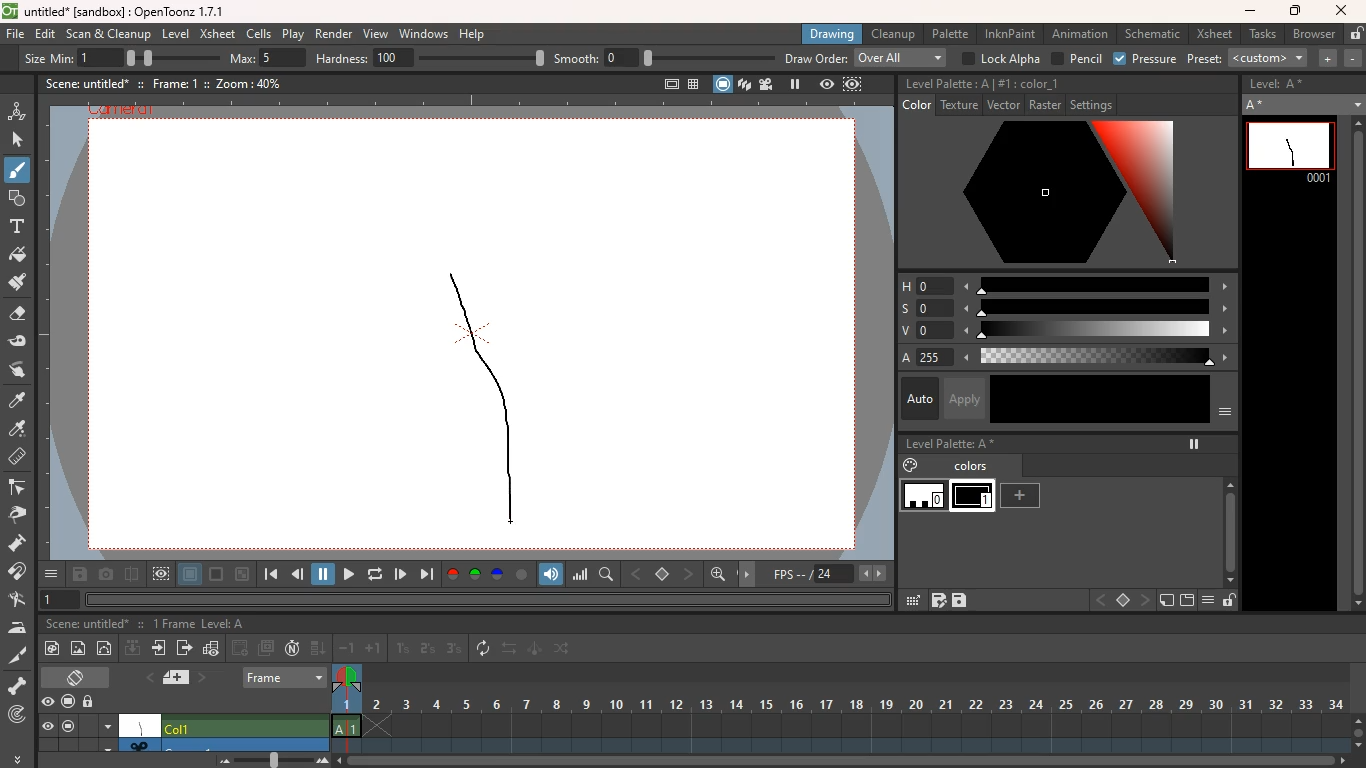  I want to click on render, so click(332, 35).